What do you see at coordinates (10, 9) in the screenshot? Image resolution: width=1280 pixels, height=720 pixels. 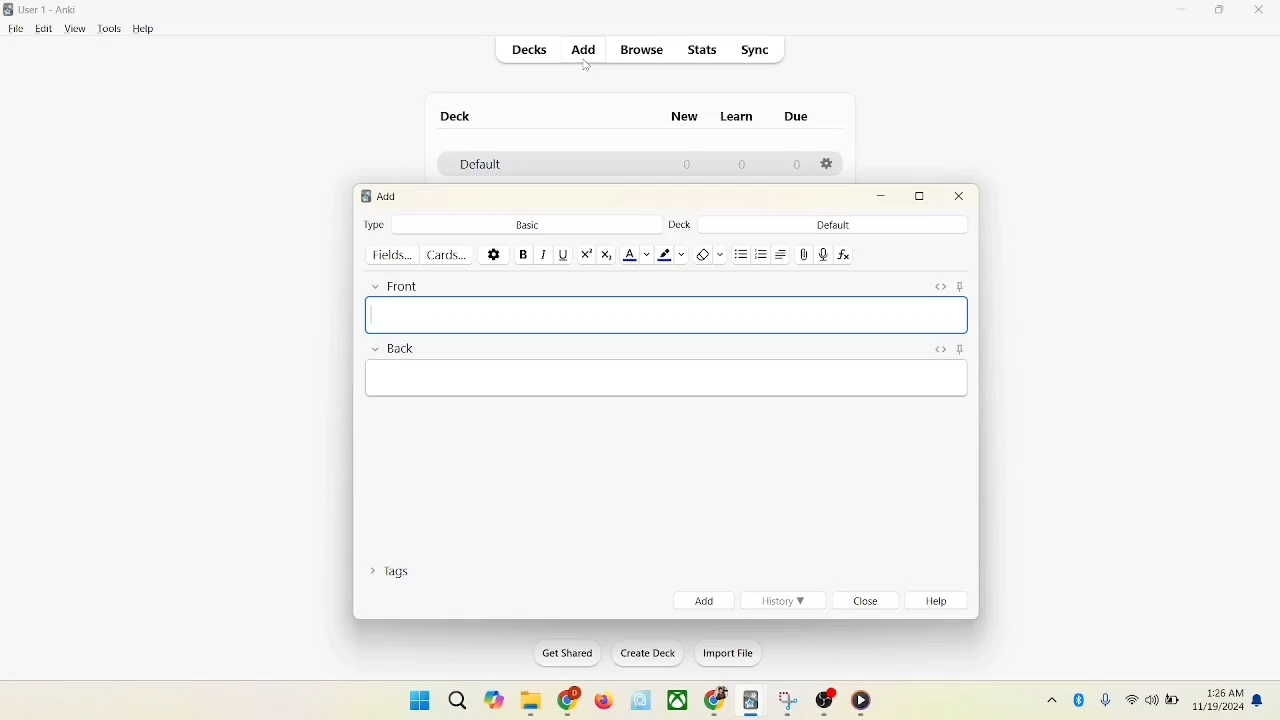 I see `logo` at bounding box center [10, 9].